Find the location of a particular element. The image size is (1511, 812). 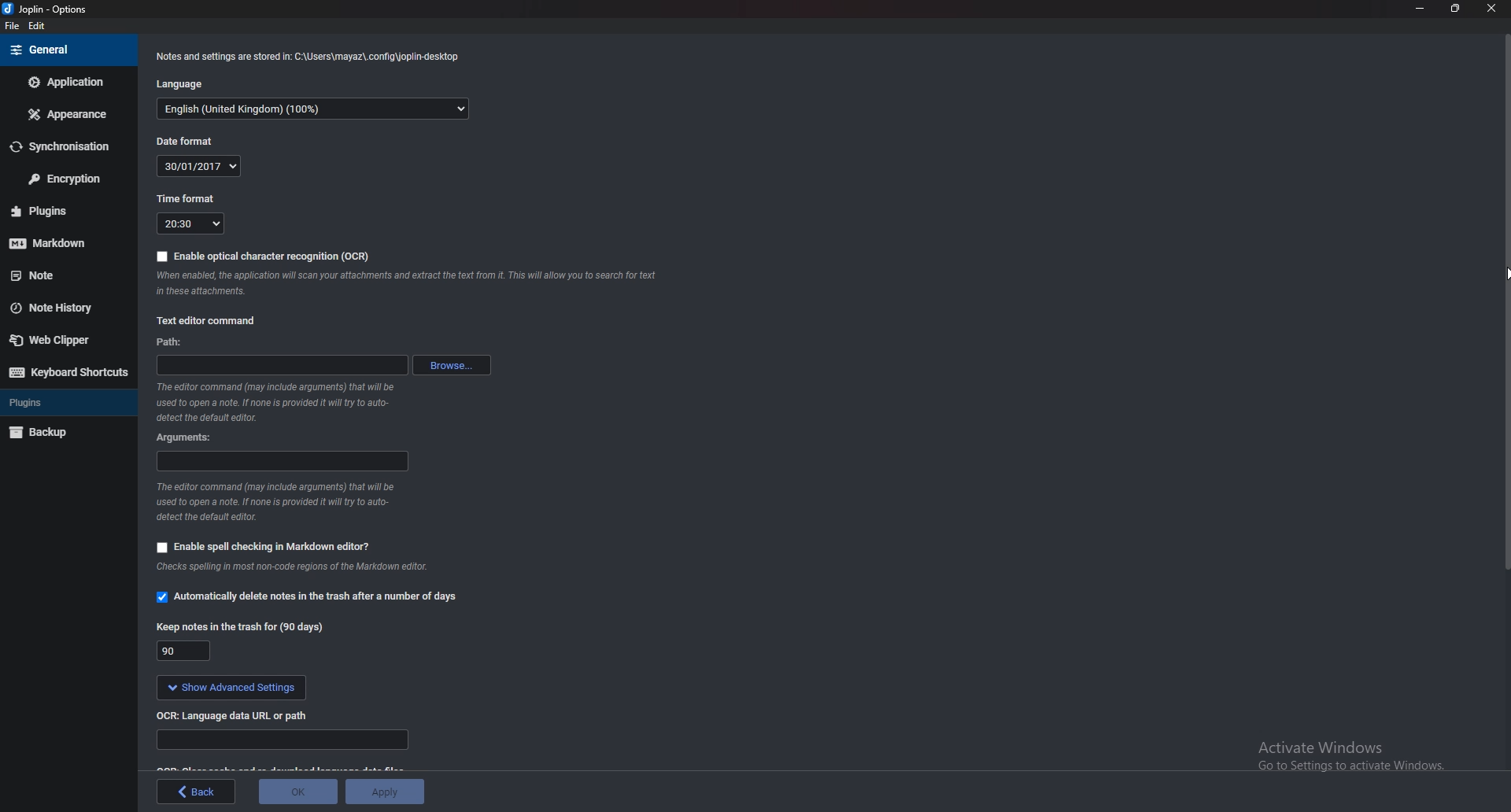

Info is located at coordinates (307, 57).